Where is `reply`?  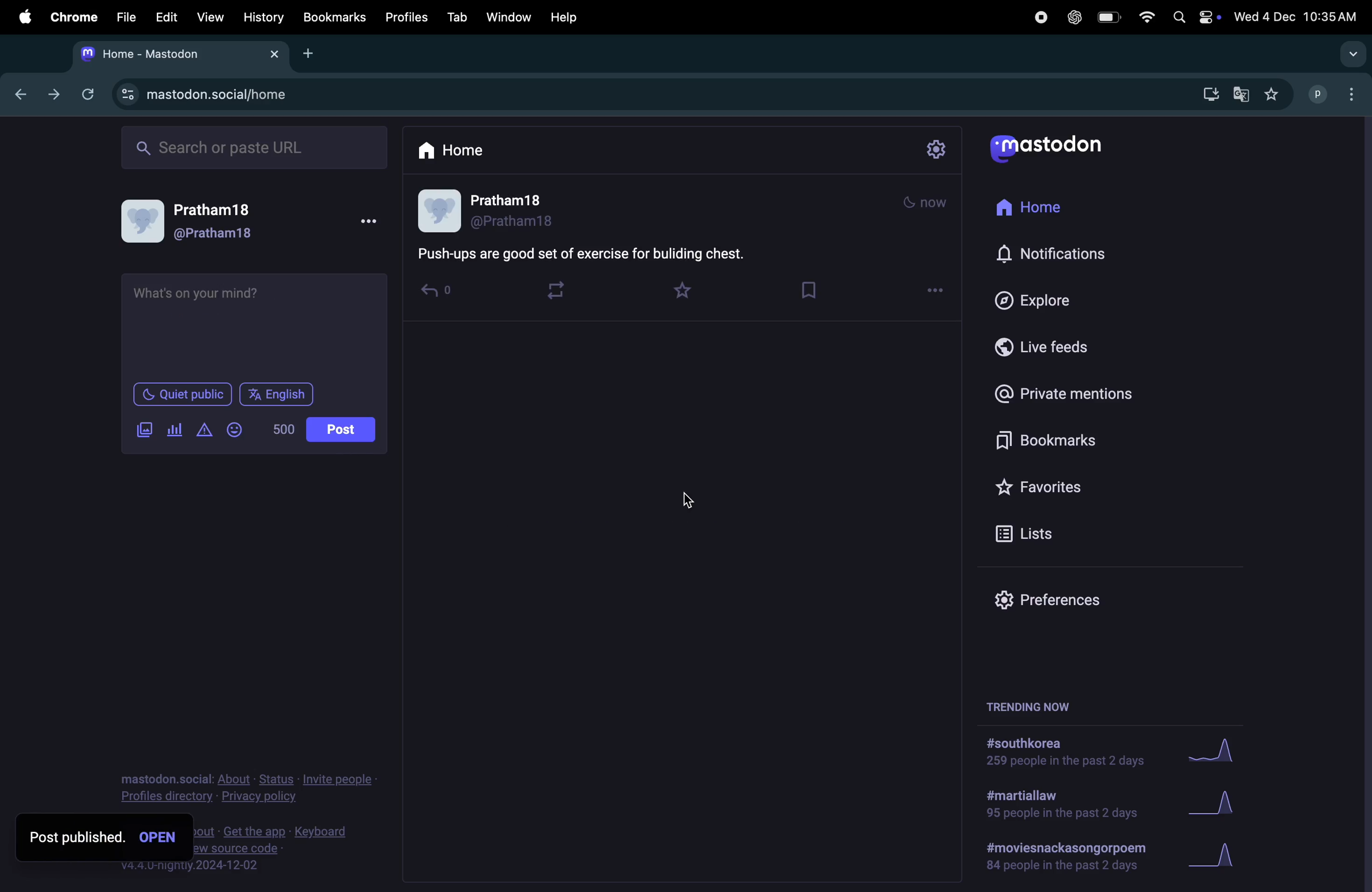 reply is located at coordinates (442, 289).